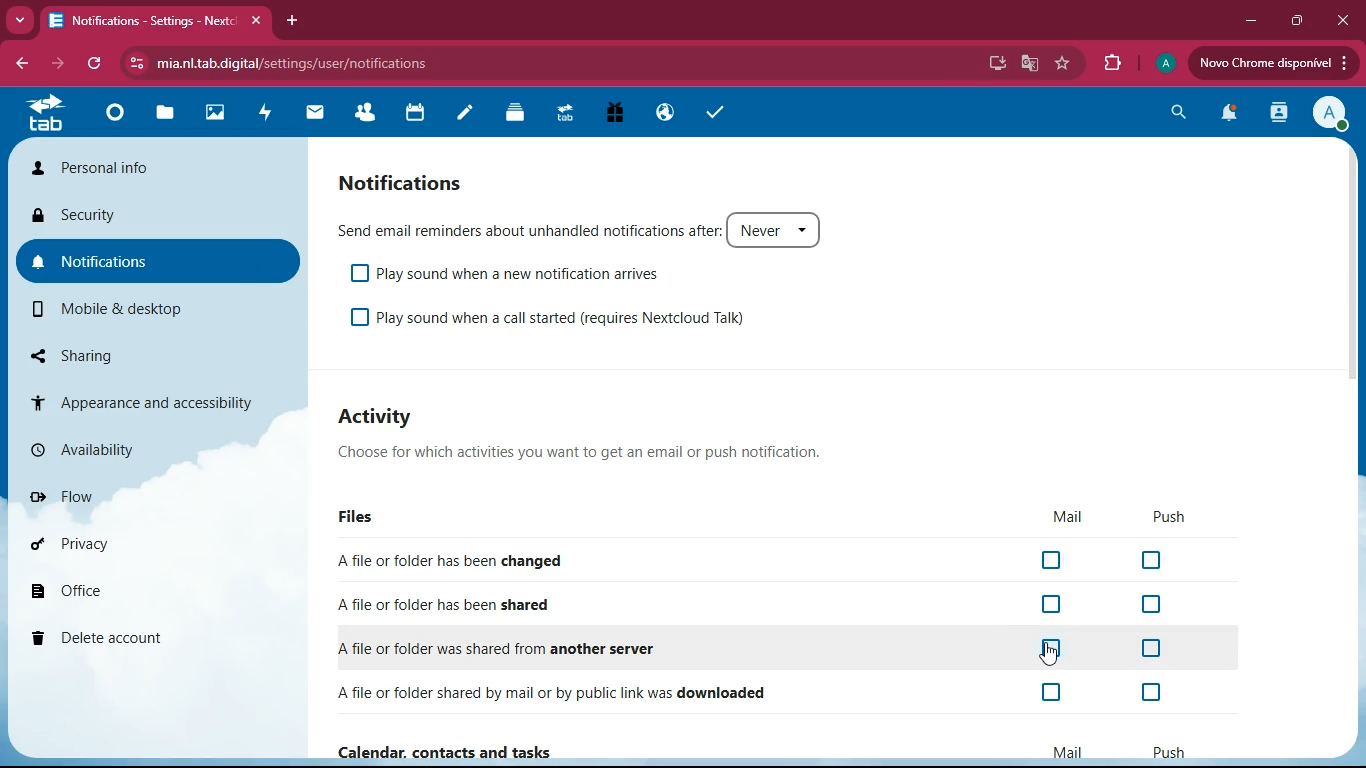 This screenshot has height=768, width=1366. Describe the element at coordinates (109, 117) in the screenshot. I see `home` at that location.